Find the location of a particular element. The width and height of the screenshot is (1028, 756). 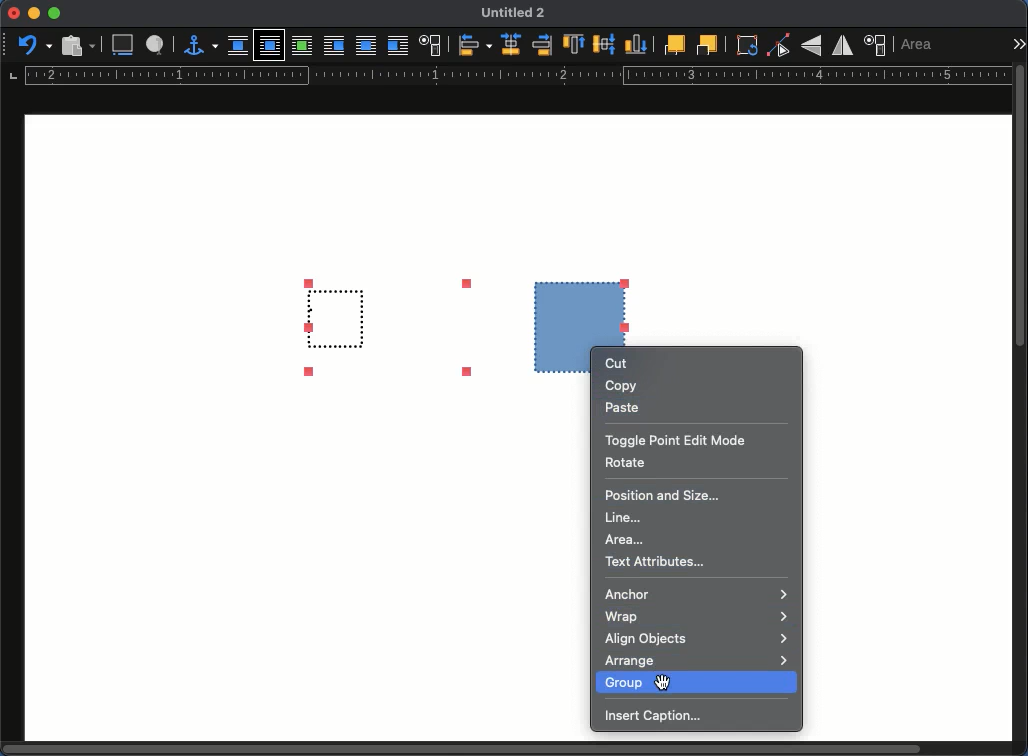

position and size is located at coordinates (663, 495).